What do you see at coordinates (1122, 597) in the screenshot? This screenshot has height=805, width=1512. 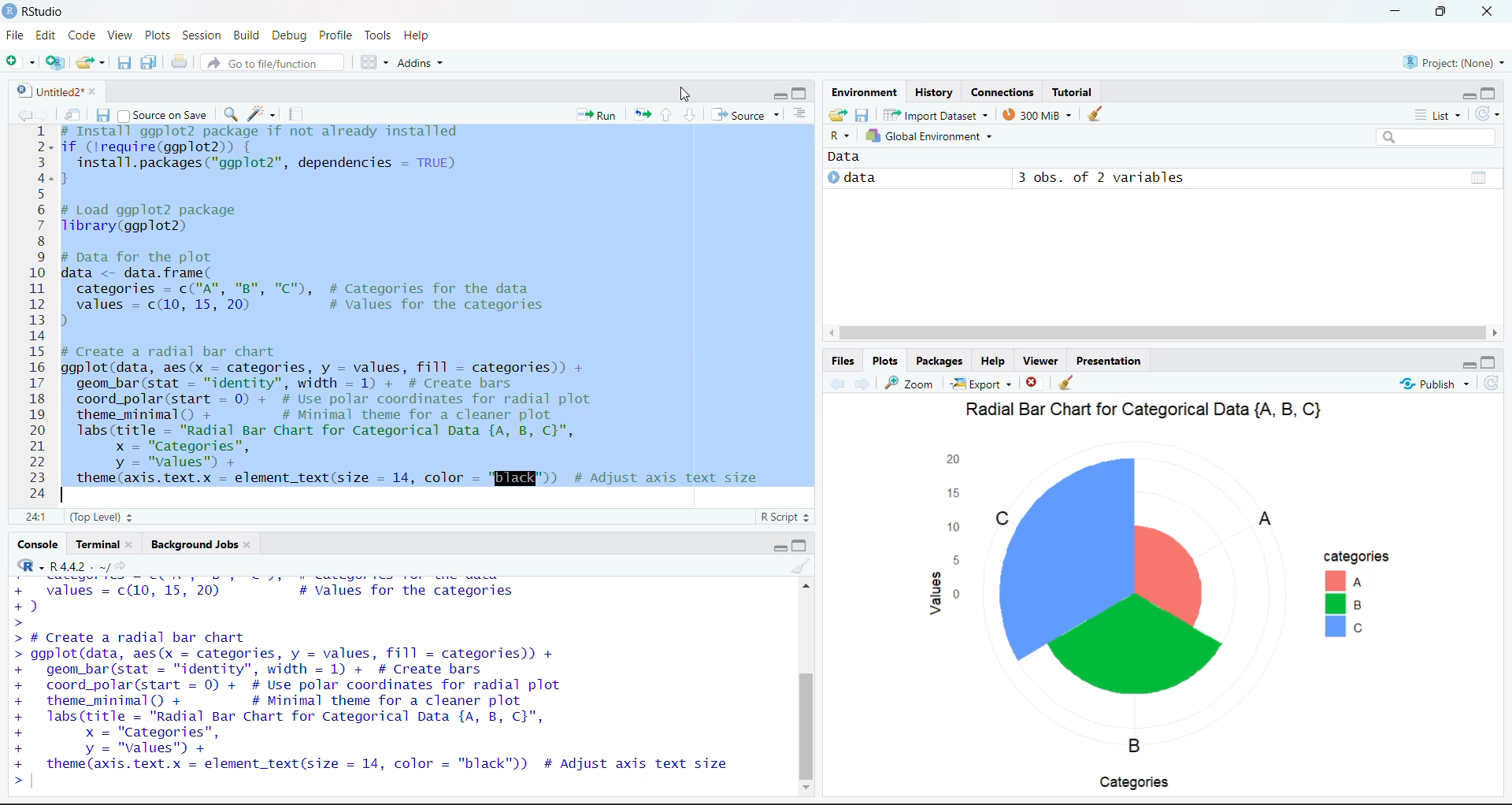 I see `chart` at bounding box center [1122, 597].